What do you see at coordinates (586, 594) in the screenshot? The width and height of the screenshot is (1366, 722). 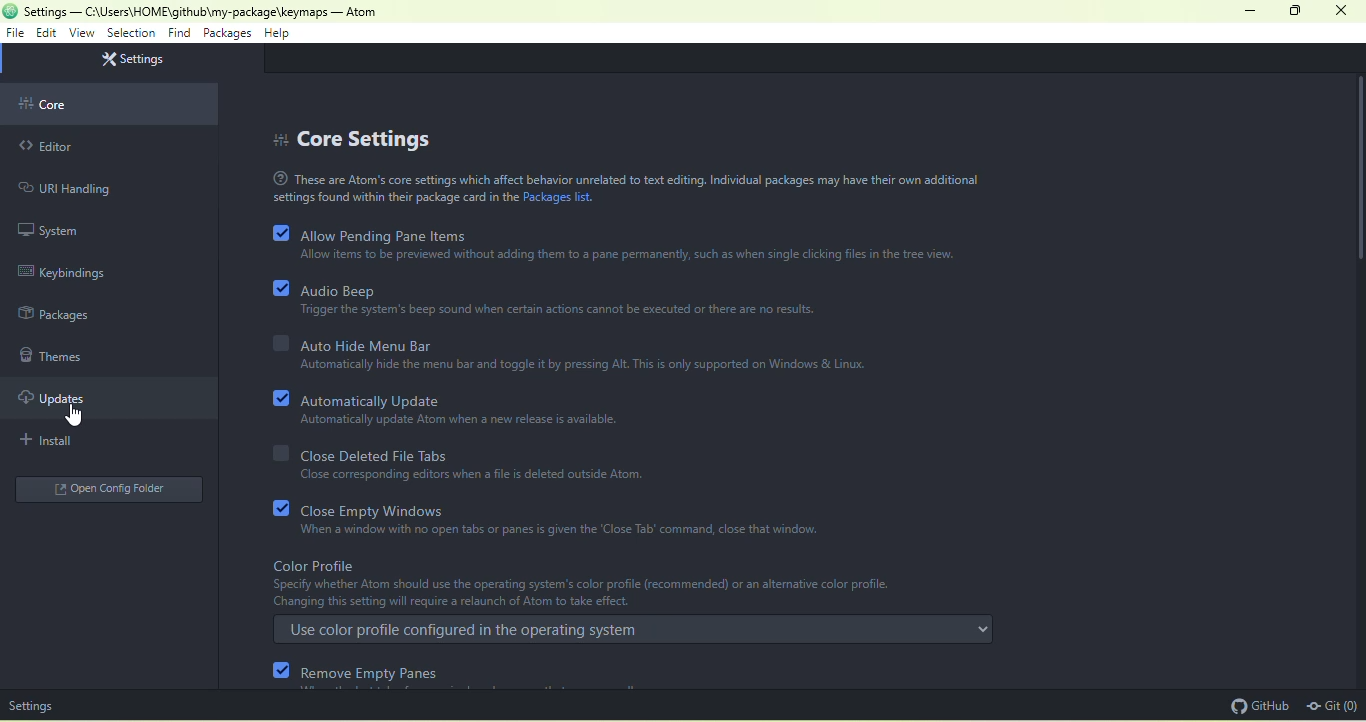 I see `text on color profile` at bounding box center [586, 594].